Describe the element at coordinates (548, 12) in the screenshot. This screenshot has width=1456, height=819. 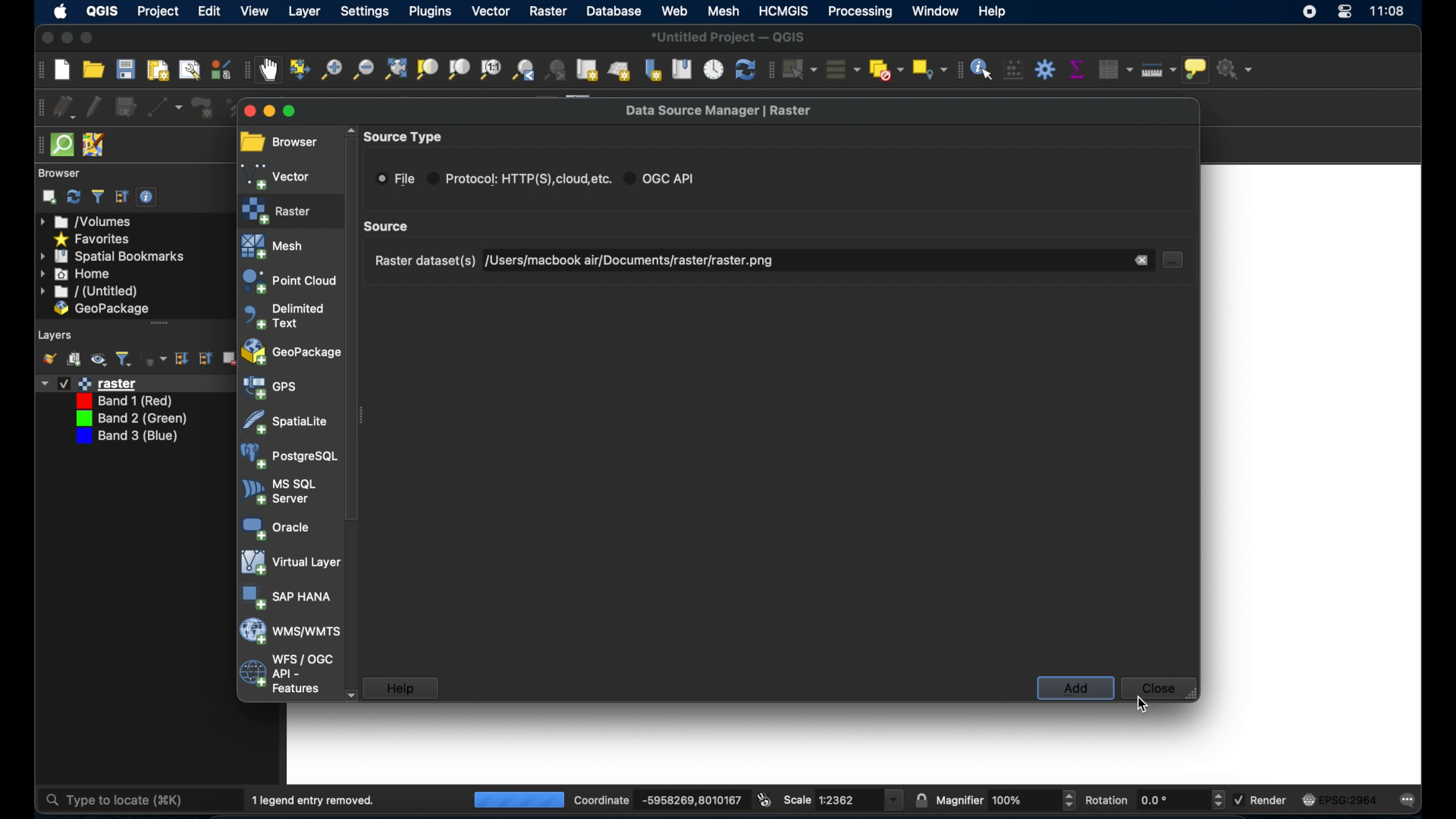
I see `raster` at that location.